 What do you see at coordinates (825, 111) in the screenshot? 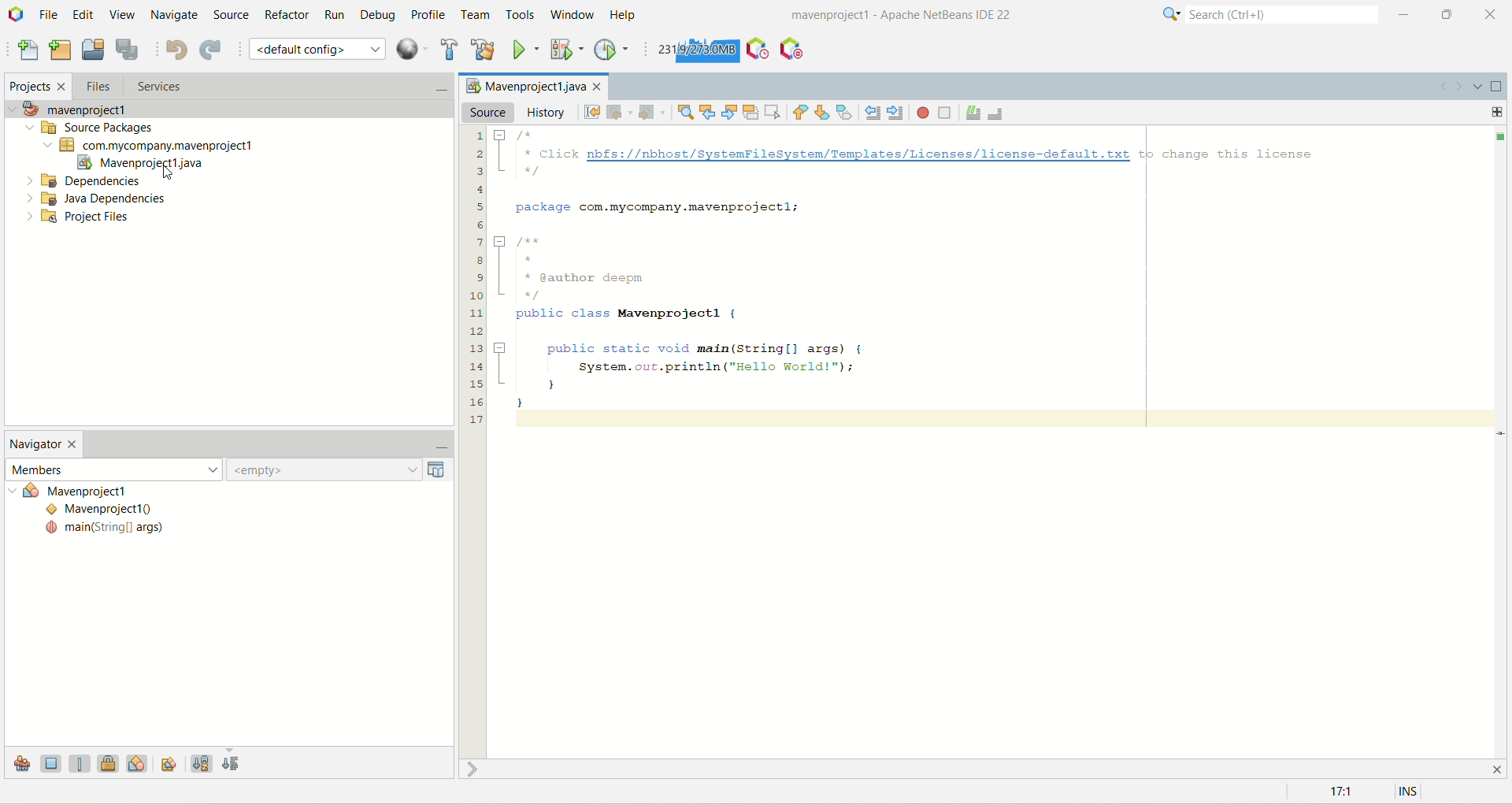
I see `next bookmark` at bounding box center [825, 111].